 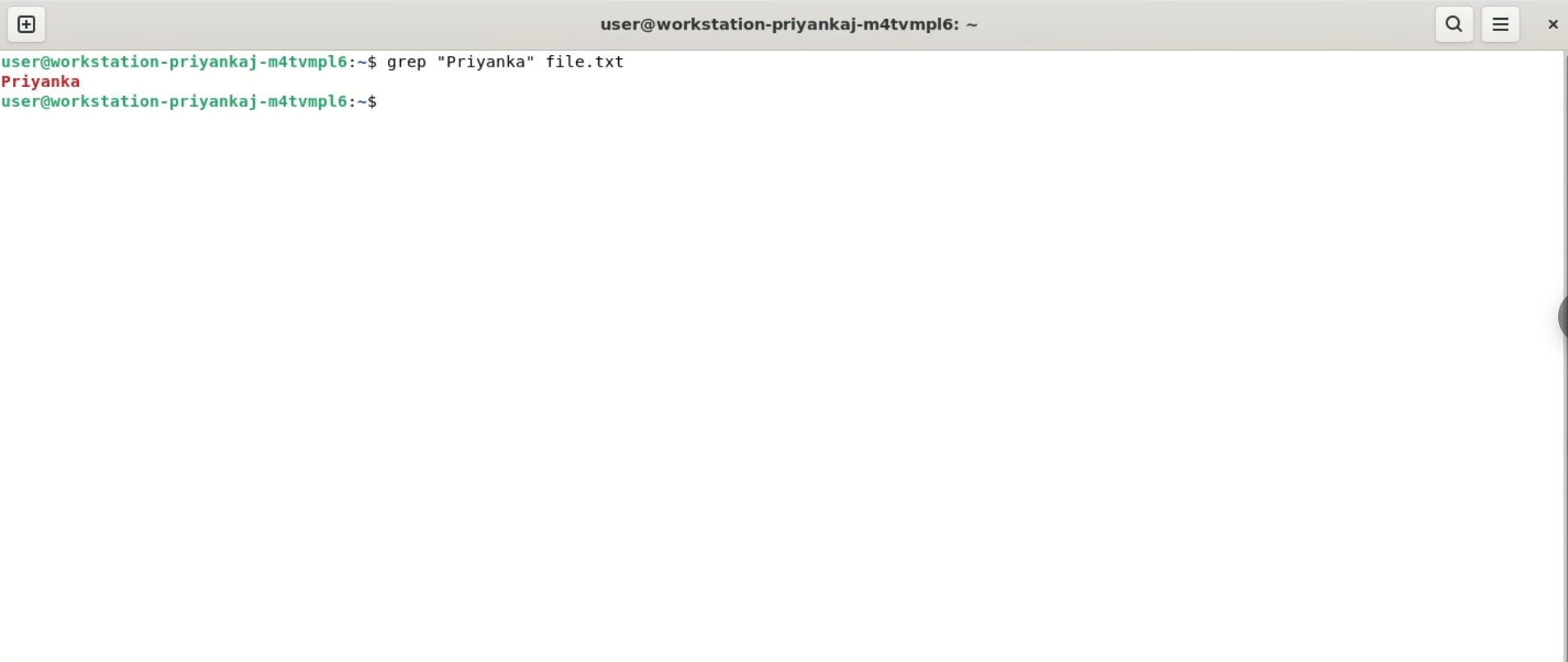 I want to click on Priyanka, so click(x=48, y=82).